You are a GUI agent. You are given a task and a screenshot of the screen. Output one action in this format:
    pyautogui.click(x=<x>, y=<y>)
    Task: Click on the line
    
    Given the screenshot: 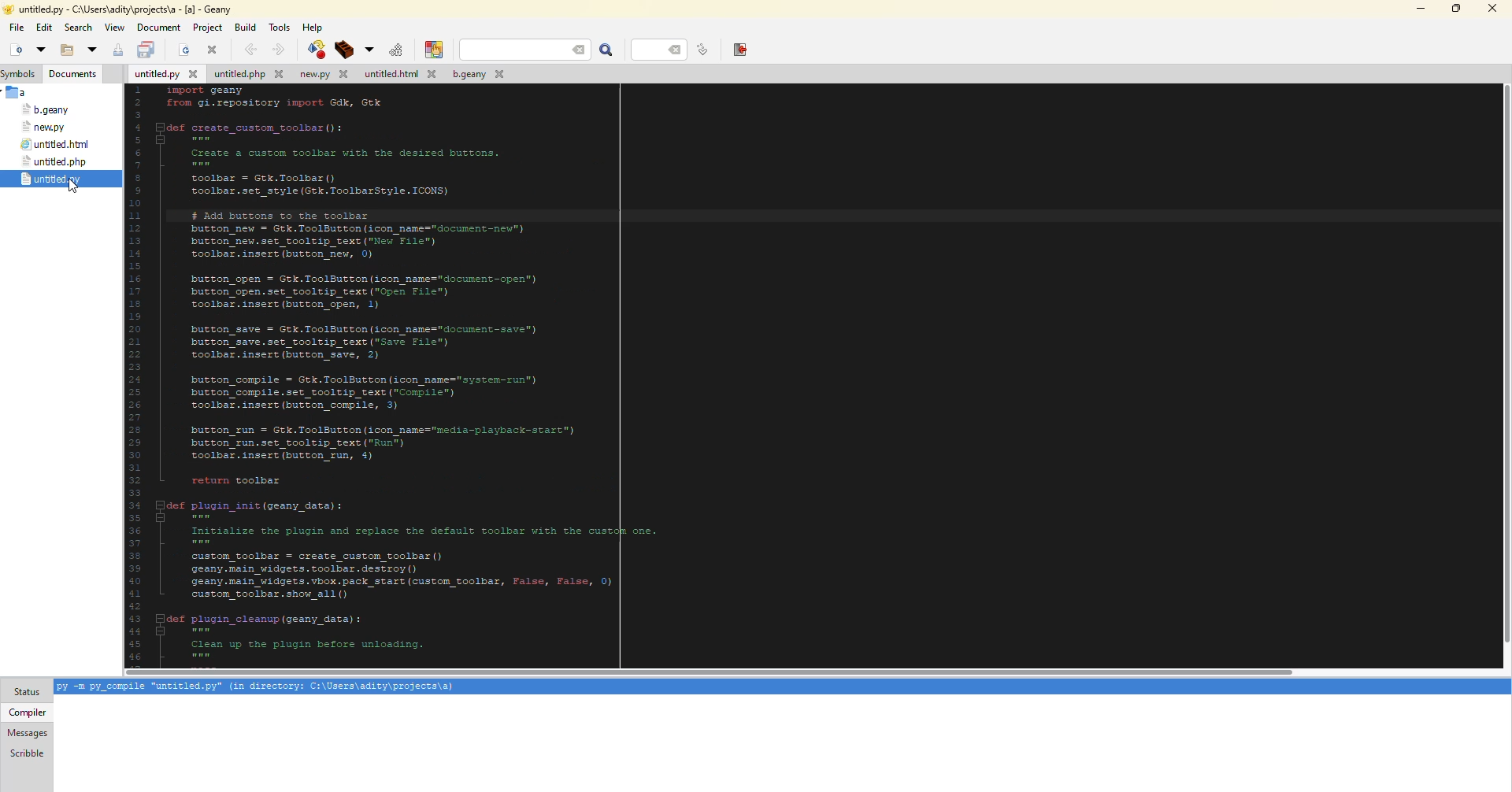 What is the action you would take?
    pyautogui.click(x=658, y=50)
    